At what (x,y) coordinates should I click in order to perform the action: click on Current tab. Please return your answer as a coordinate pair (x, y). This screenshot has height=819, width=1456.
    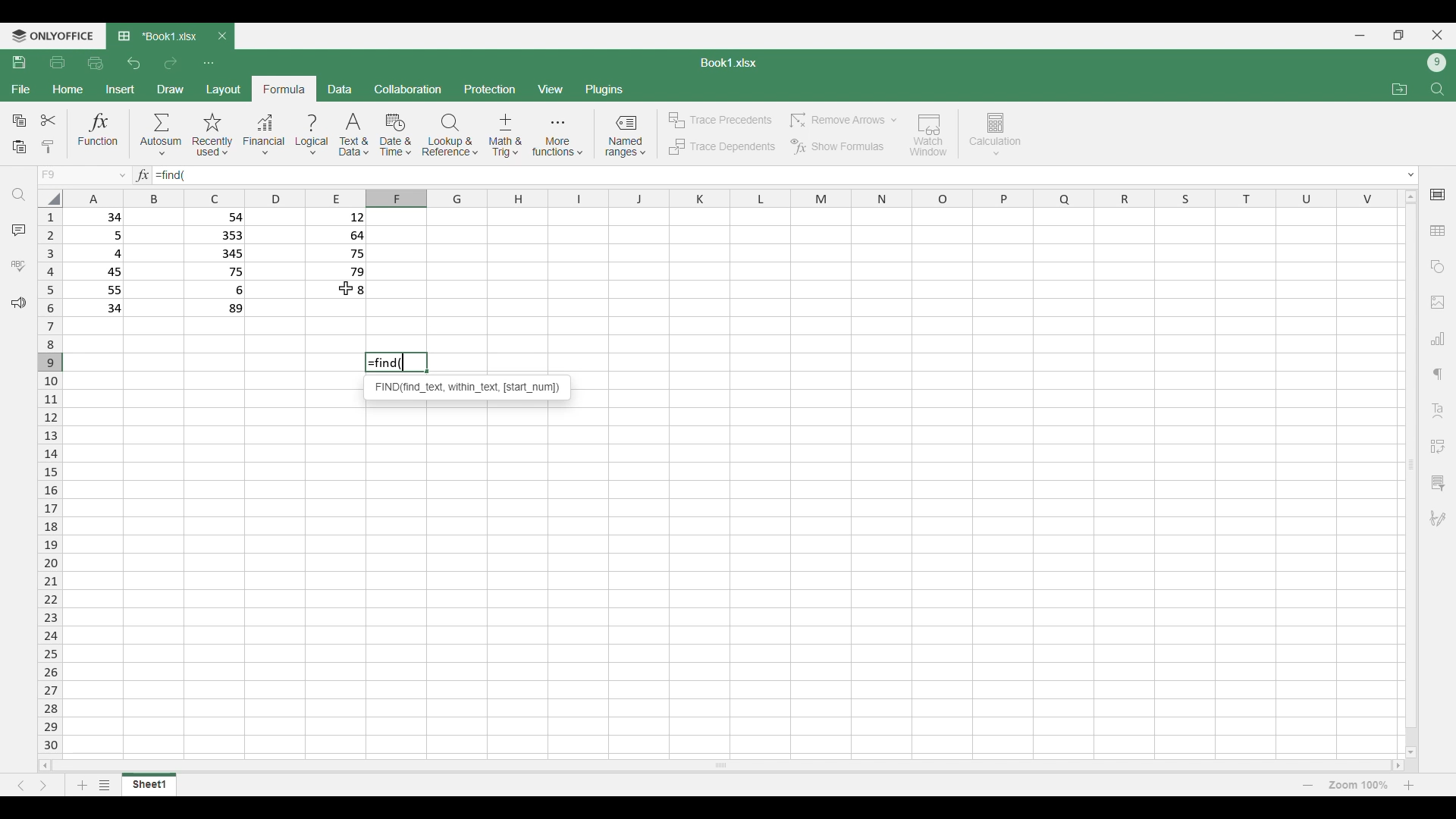
    Looking at the image, I should click on (158, 37).